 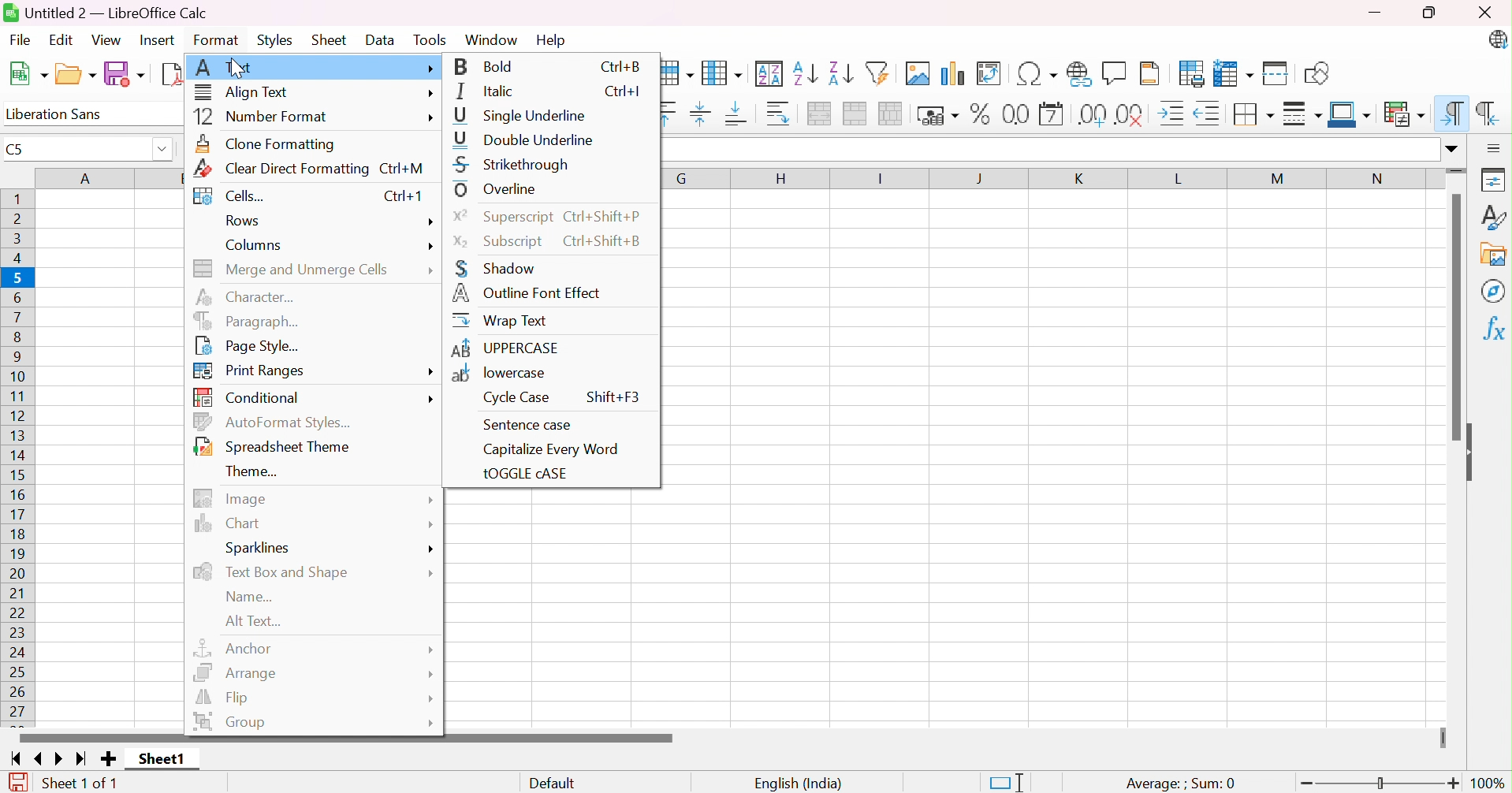 I want to click on Right-To-Left, so click(x=1490, y=115).